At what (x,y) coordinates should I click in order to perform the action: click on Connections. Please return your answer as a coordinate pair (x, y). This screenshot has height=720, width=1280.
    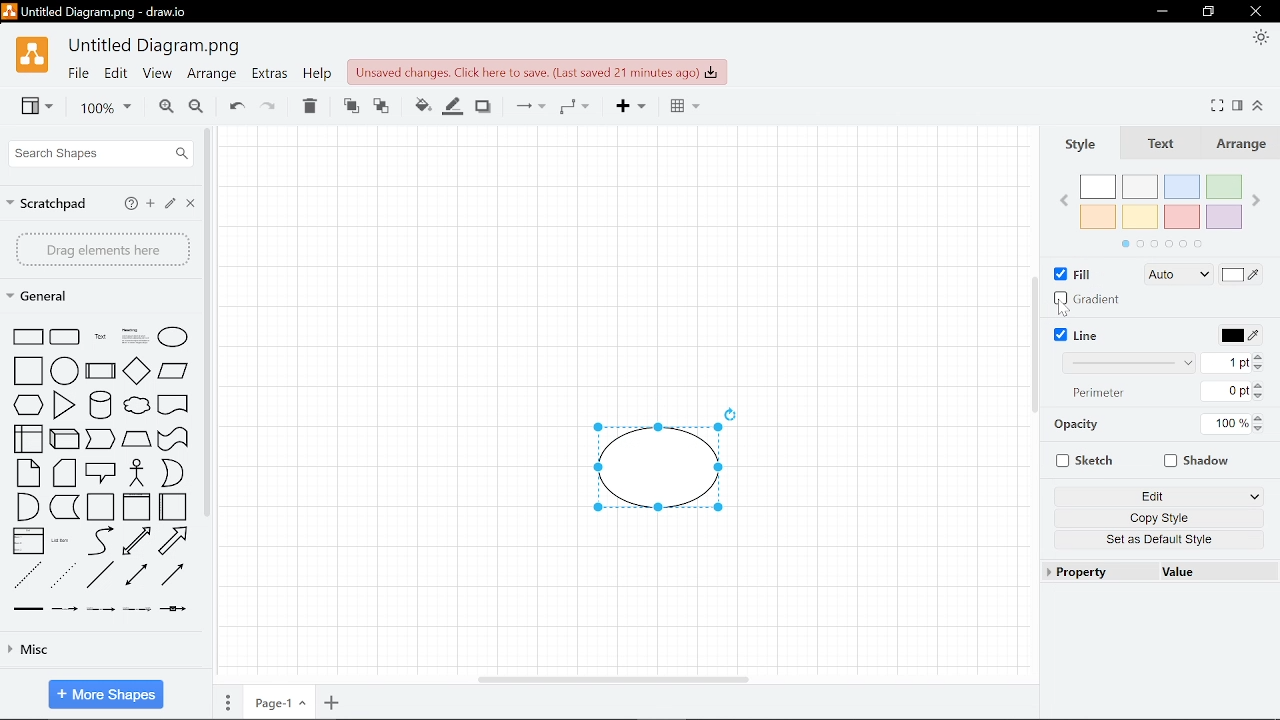
    Looking at the image, I should click on (525, 107).